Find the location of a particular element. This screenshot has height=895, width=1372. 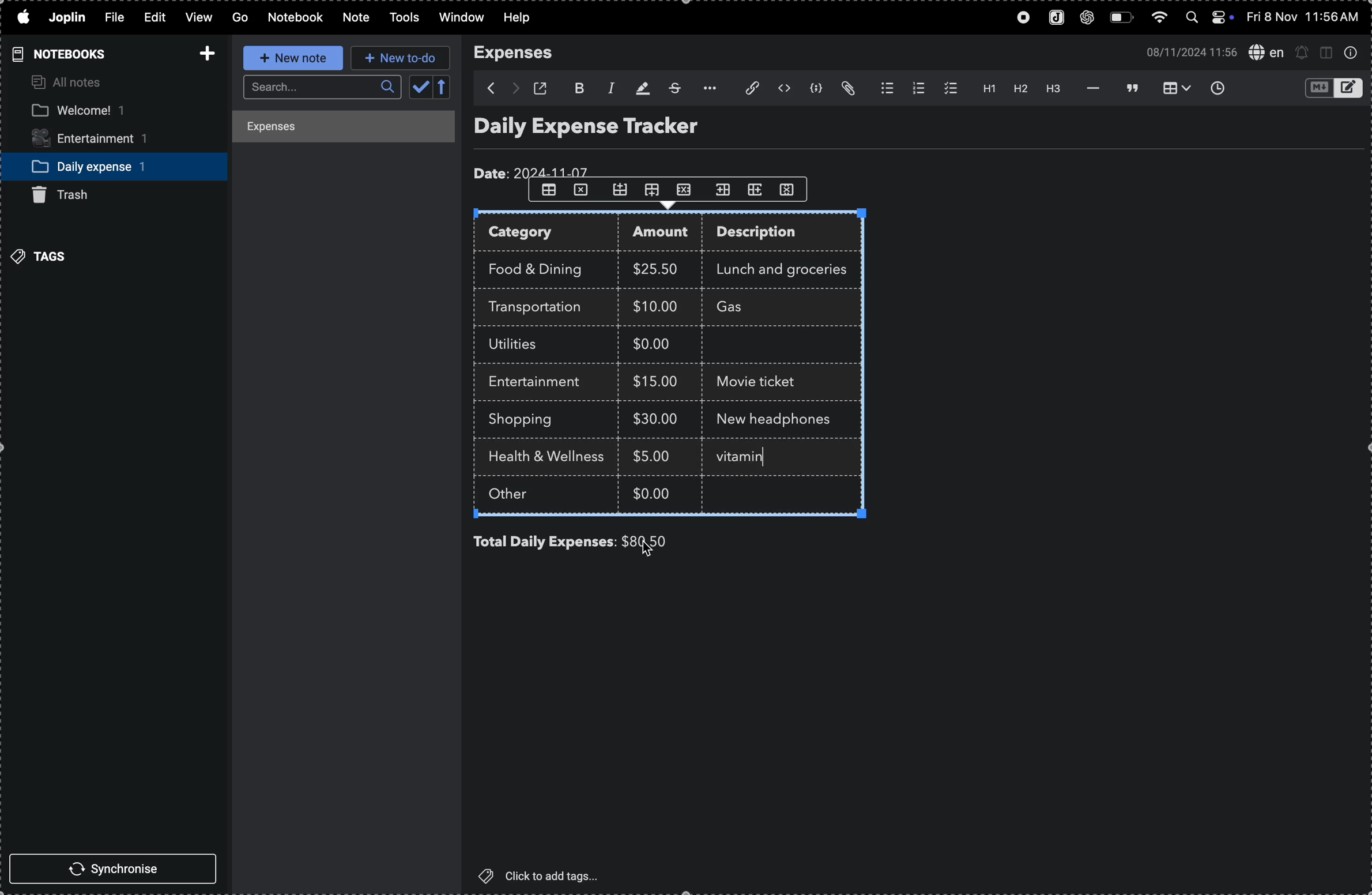

view is located at coordinates (196, 18).